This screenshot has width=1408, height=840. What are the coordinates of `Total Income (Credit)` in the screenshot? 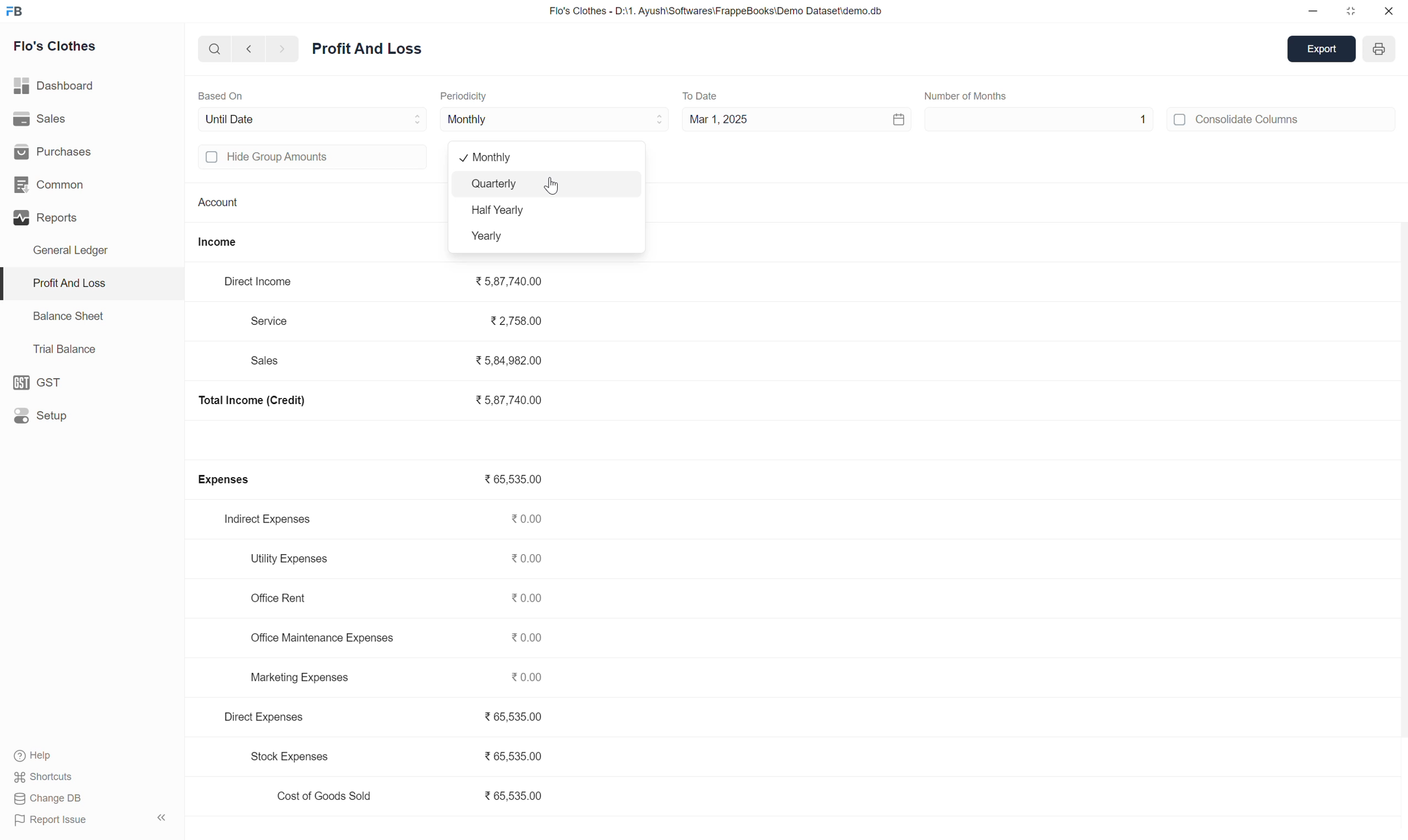 It's located at (267, 402).